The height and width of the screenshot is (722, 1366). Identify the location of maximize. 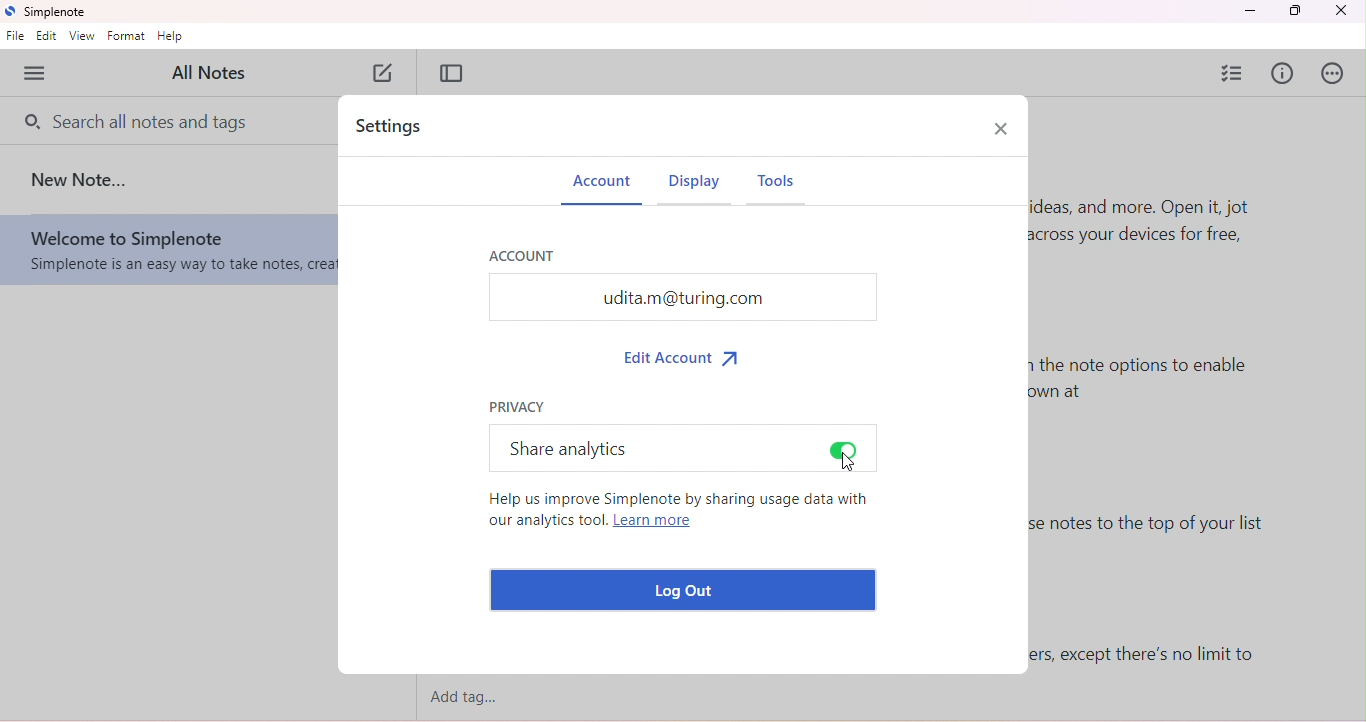
(1294, 11).